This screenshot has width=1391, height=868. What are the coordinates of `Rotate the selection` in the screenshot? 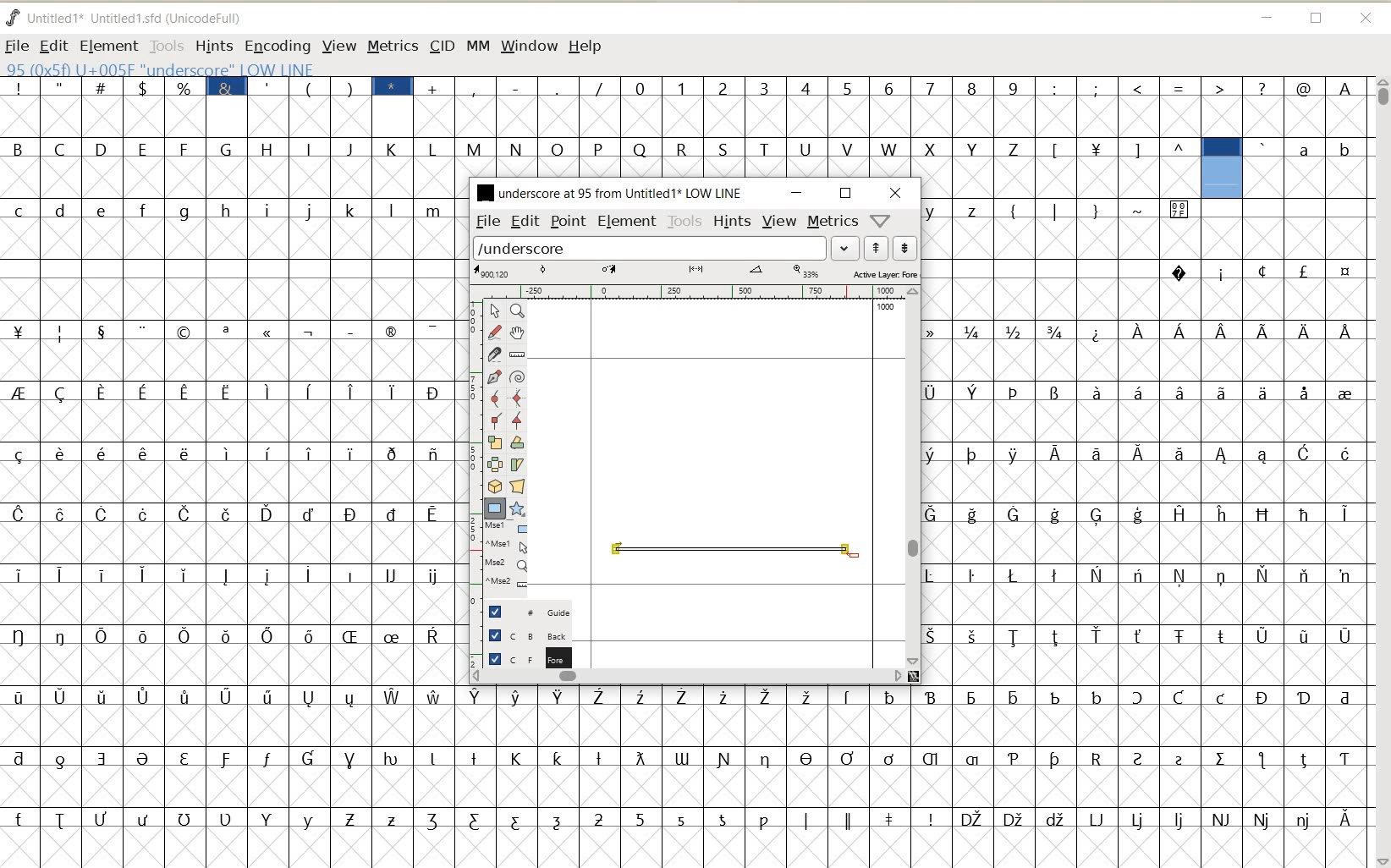 It's located at (518, 442).